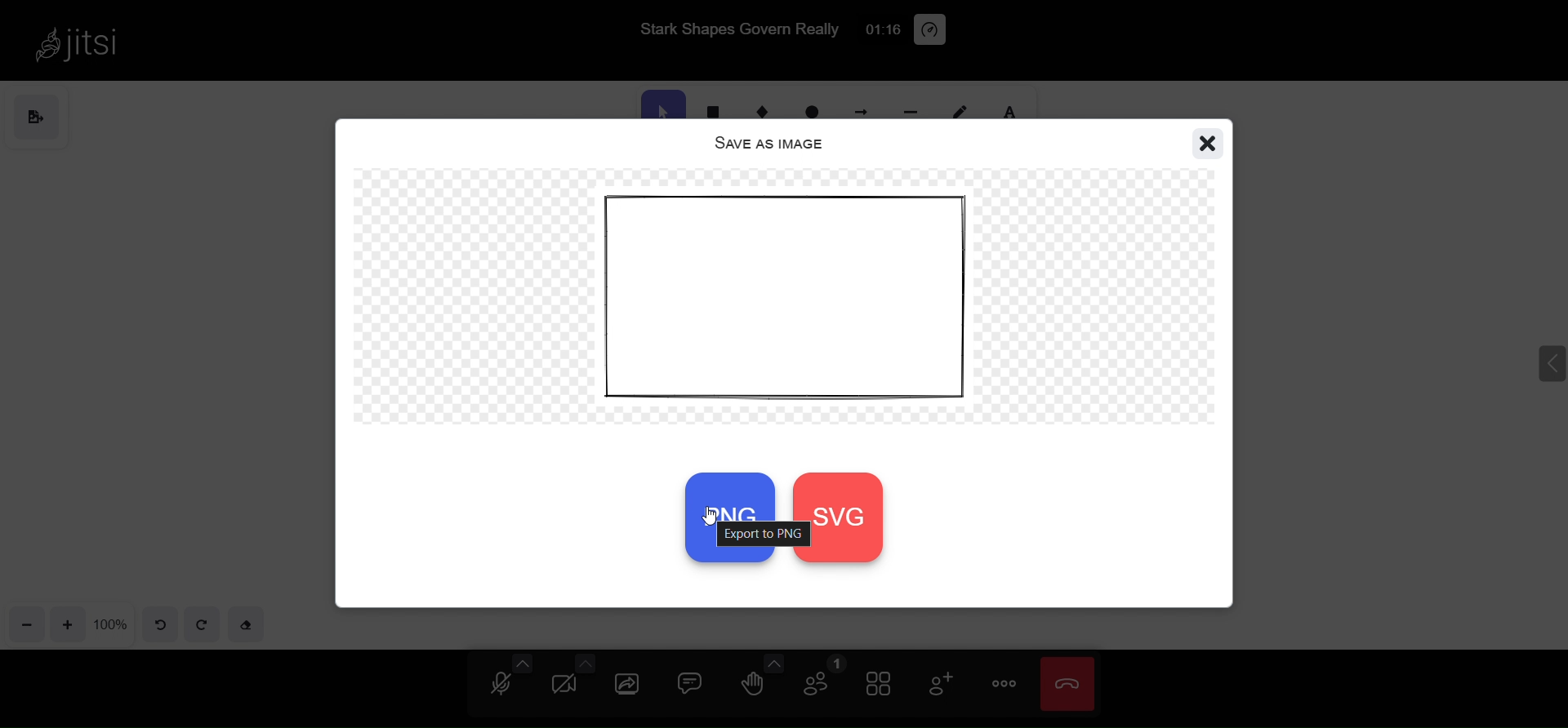 Image resolution: width=1568 pixels, height=728 pixels. I want to click on Stark Shapes Govern Really, so click(733, 28).